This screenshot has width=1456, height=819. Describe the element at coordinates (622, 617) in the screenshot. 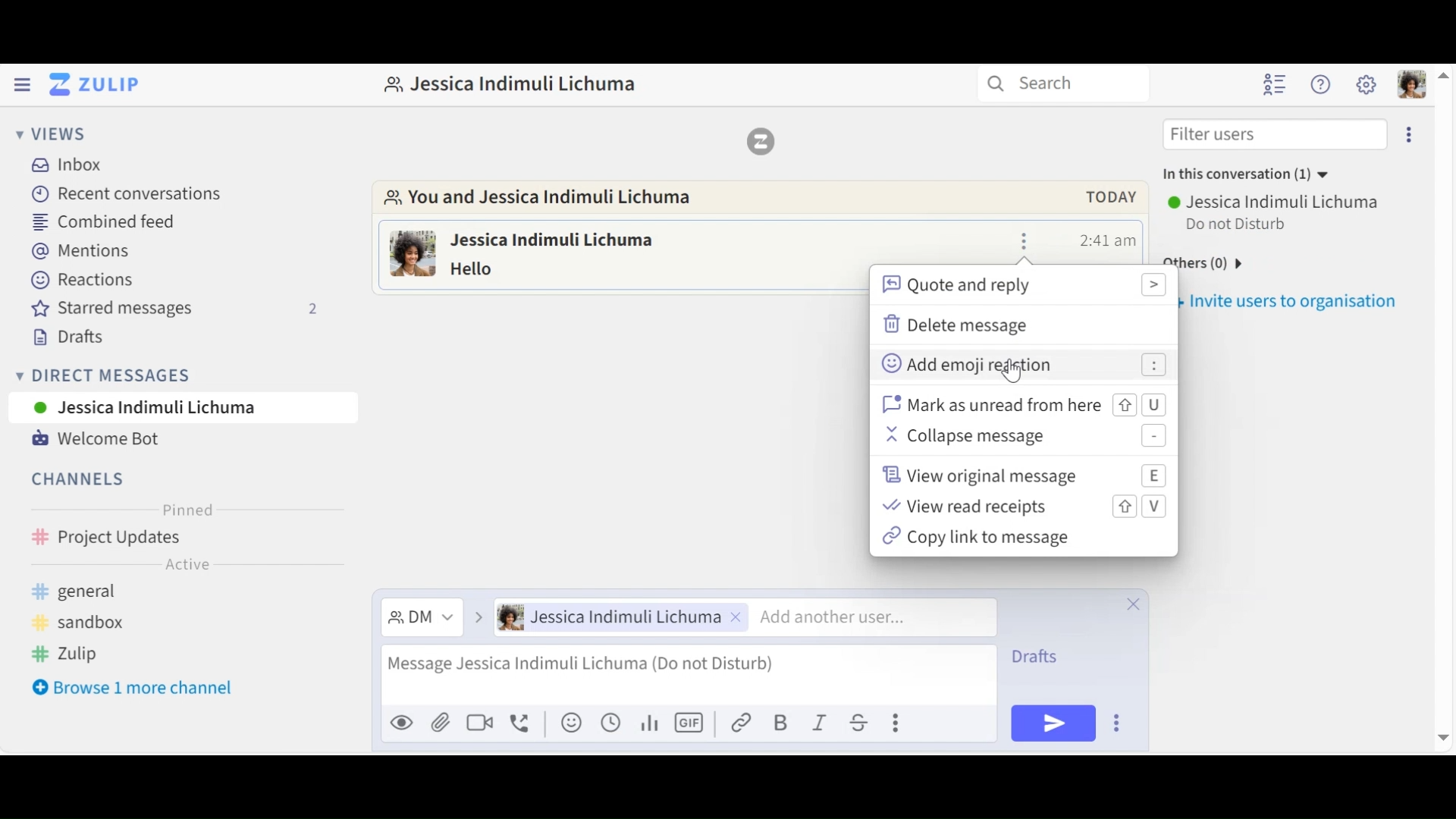

I see `User` at that location.